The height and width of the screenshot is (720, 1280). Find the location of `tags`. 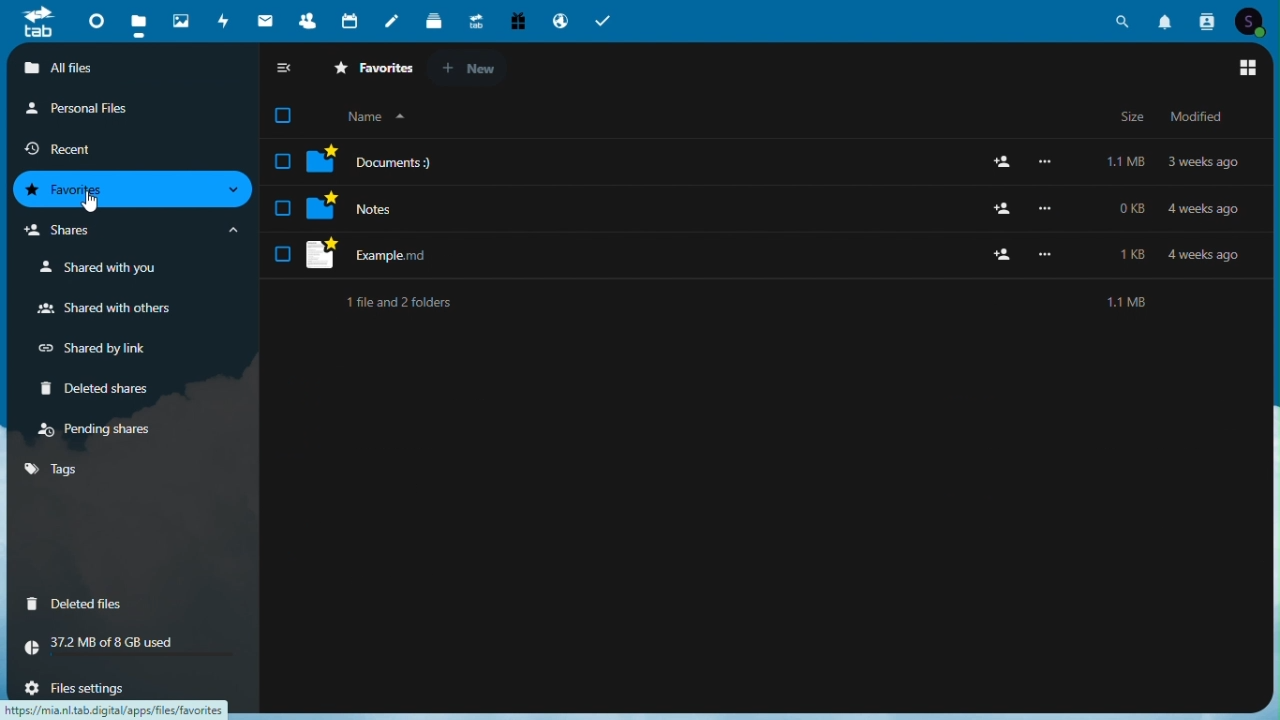

tags is located at coordinates (57, 468).